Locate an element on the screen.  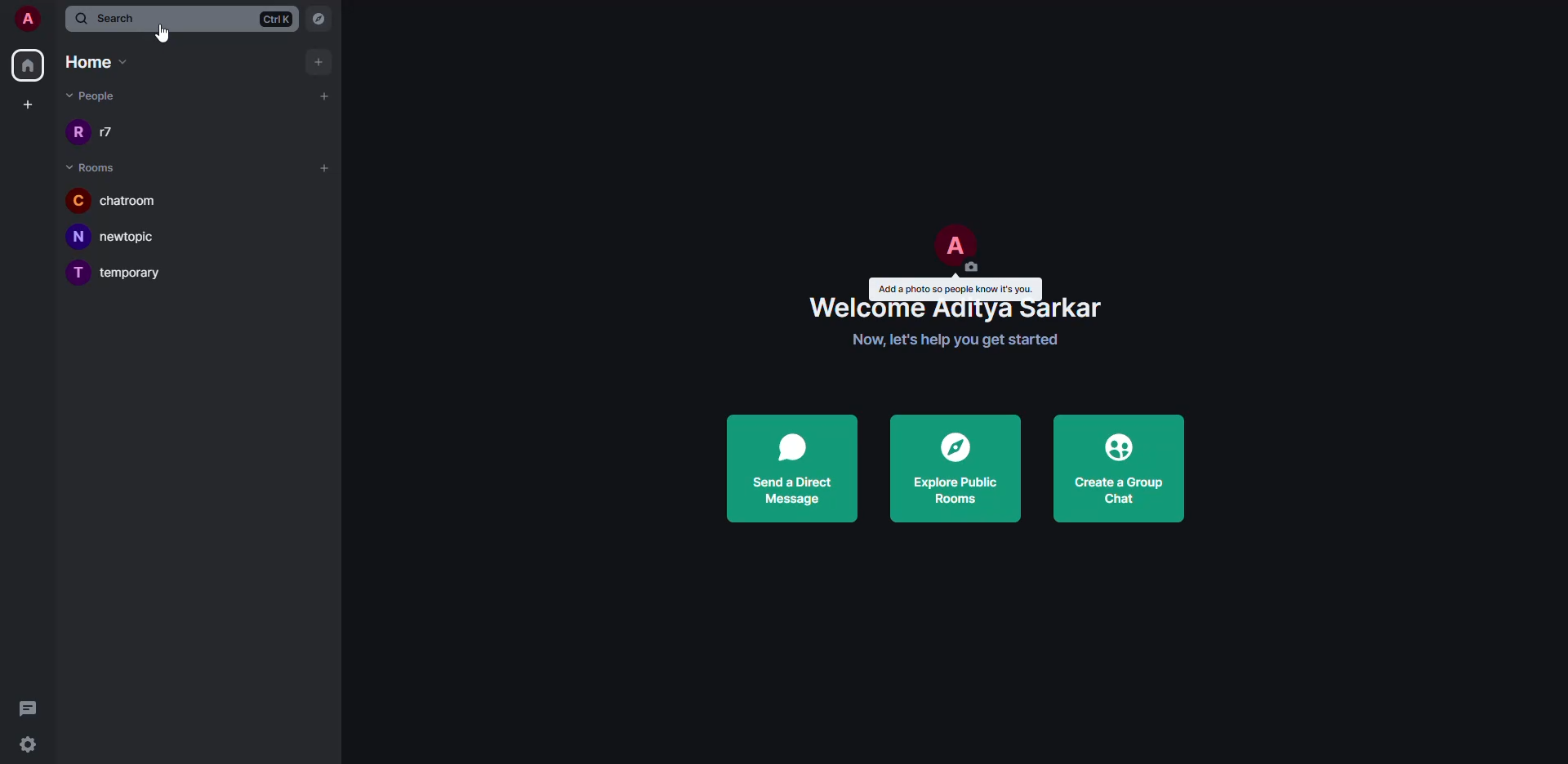
people is located at coordinates (91, 95).